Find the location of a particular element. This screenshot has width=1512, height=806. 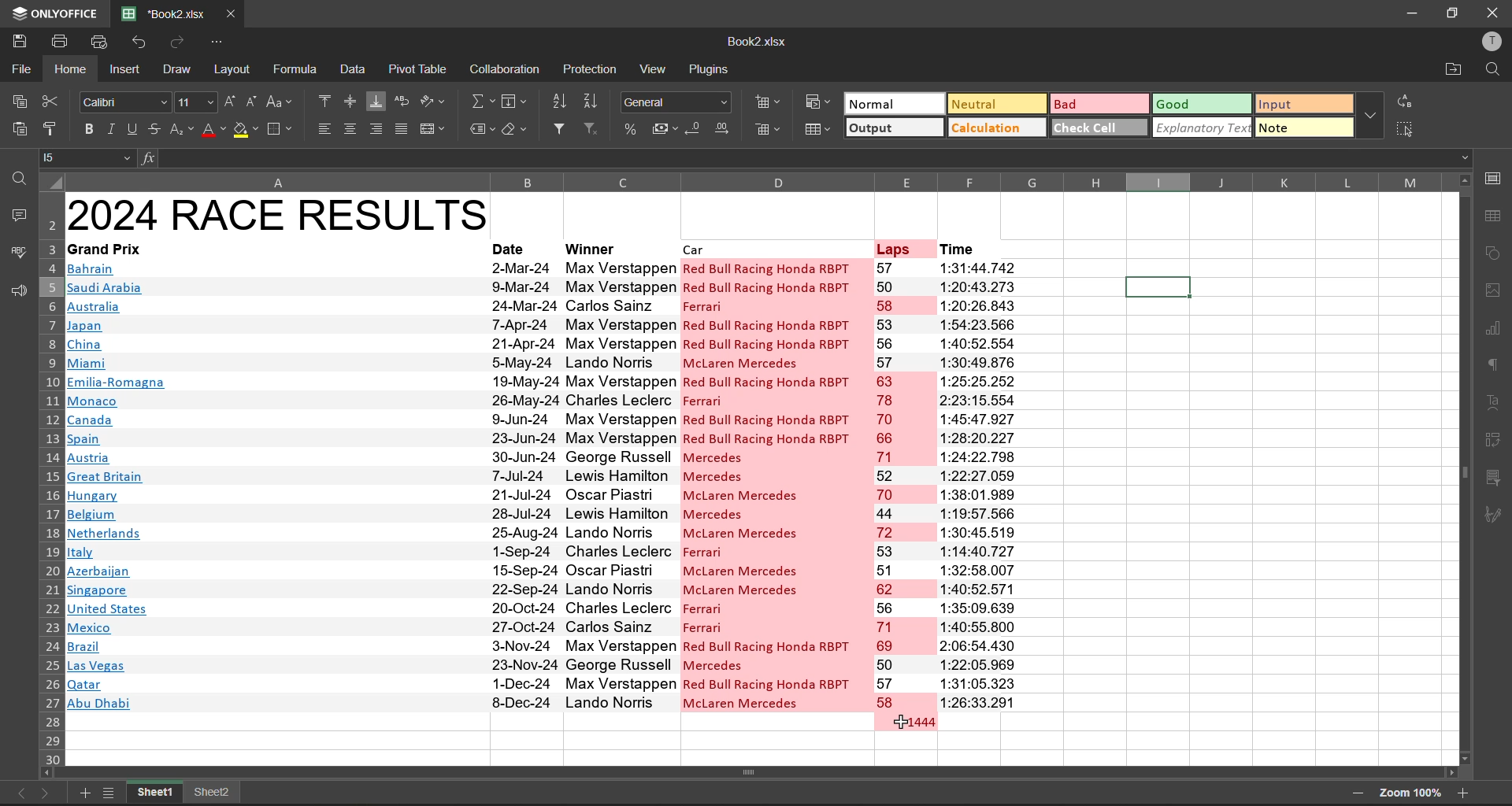

paste is located at coordinates (19, 125).